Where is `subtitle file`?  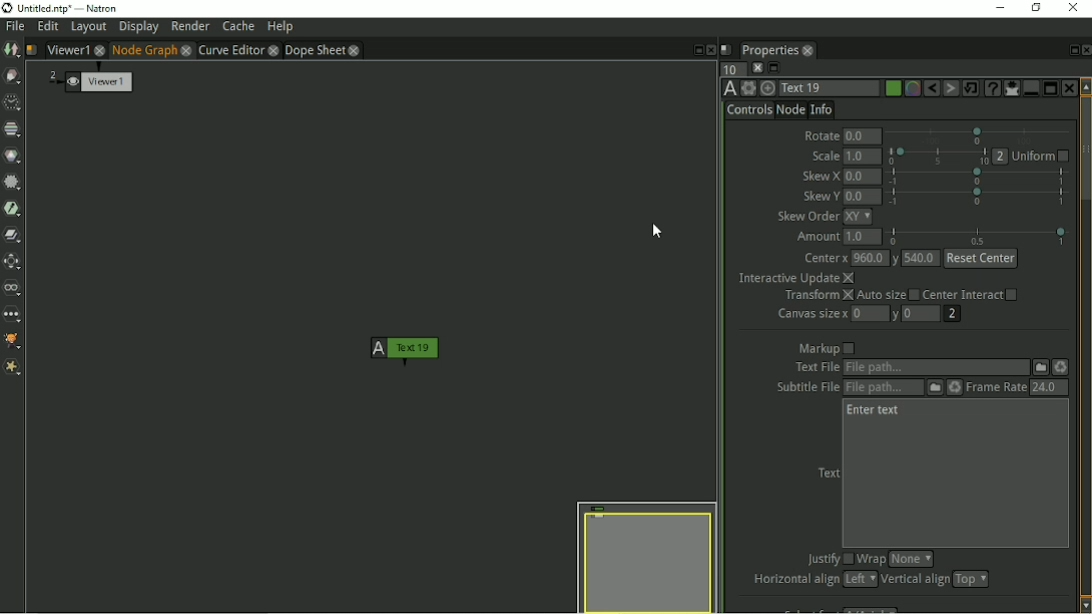
subtitle file is located at coordinates (808, 388).